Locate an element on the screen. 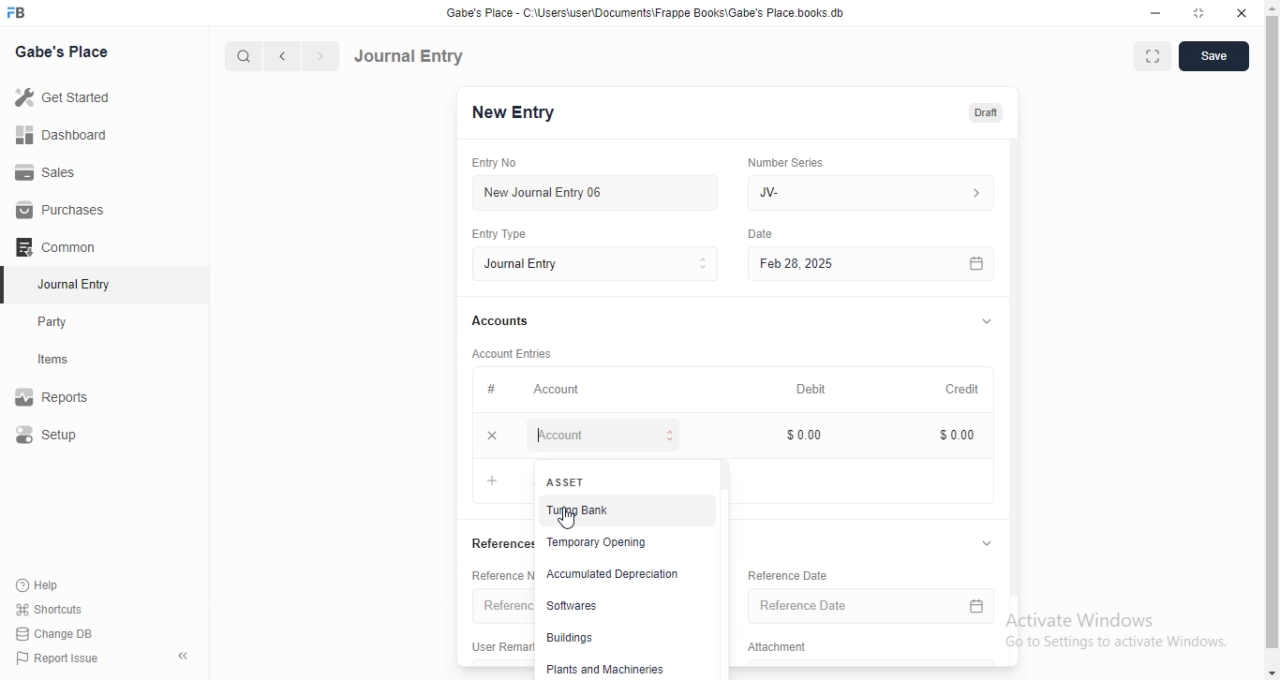 This screenshot has height=680, width=1280. Reports is located at coordinates (65, 399).